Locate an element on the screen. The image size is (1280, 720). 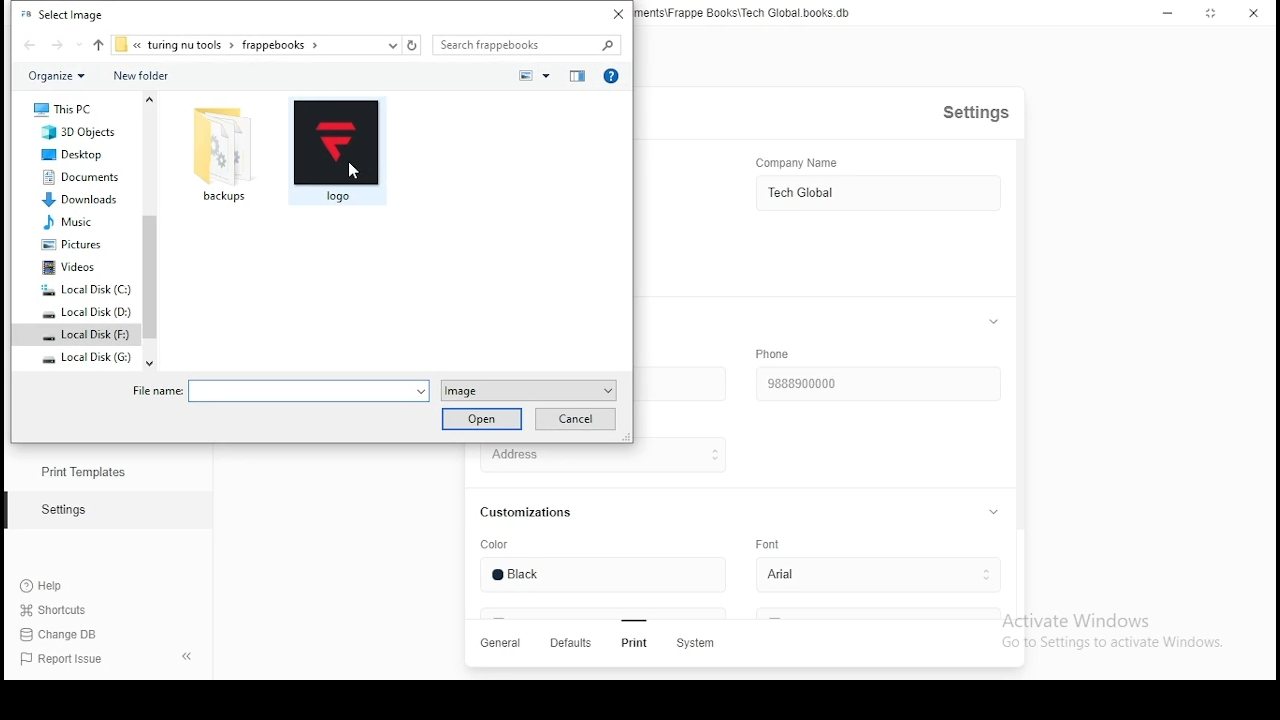
Search box is located at coordinates (528, 44).